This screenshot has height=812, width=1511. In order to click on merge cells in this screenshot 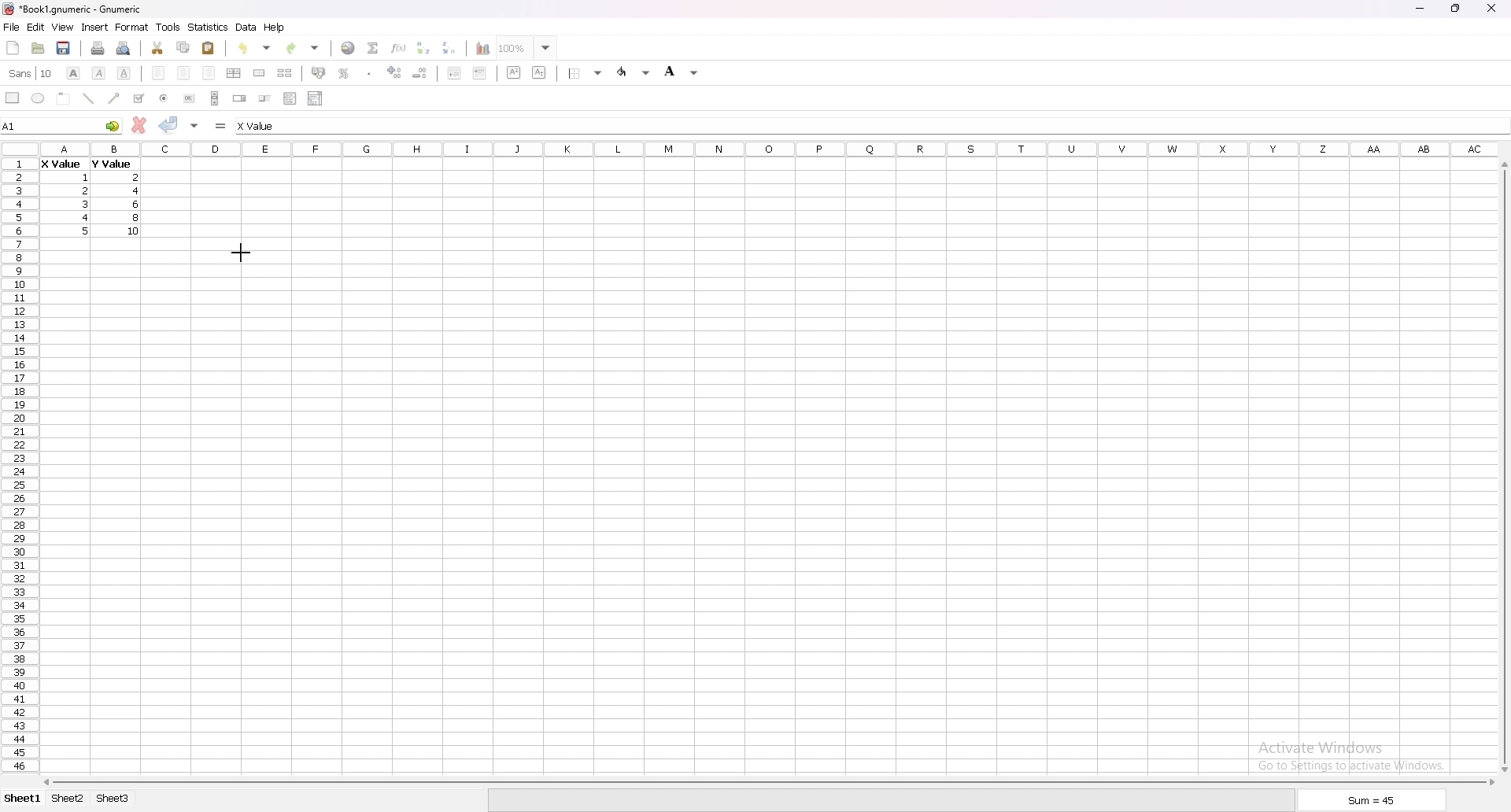, I will do `click(259, 73)`.